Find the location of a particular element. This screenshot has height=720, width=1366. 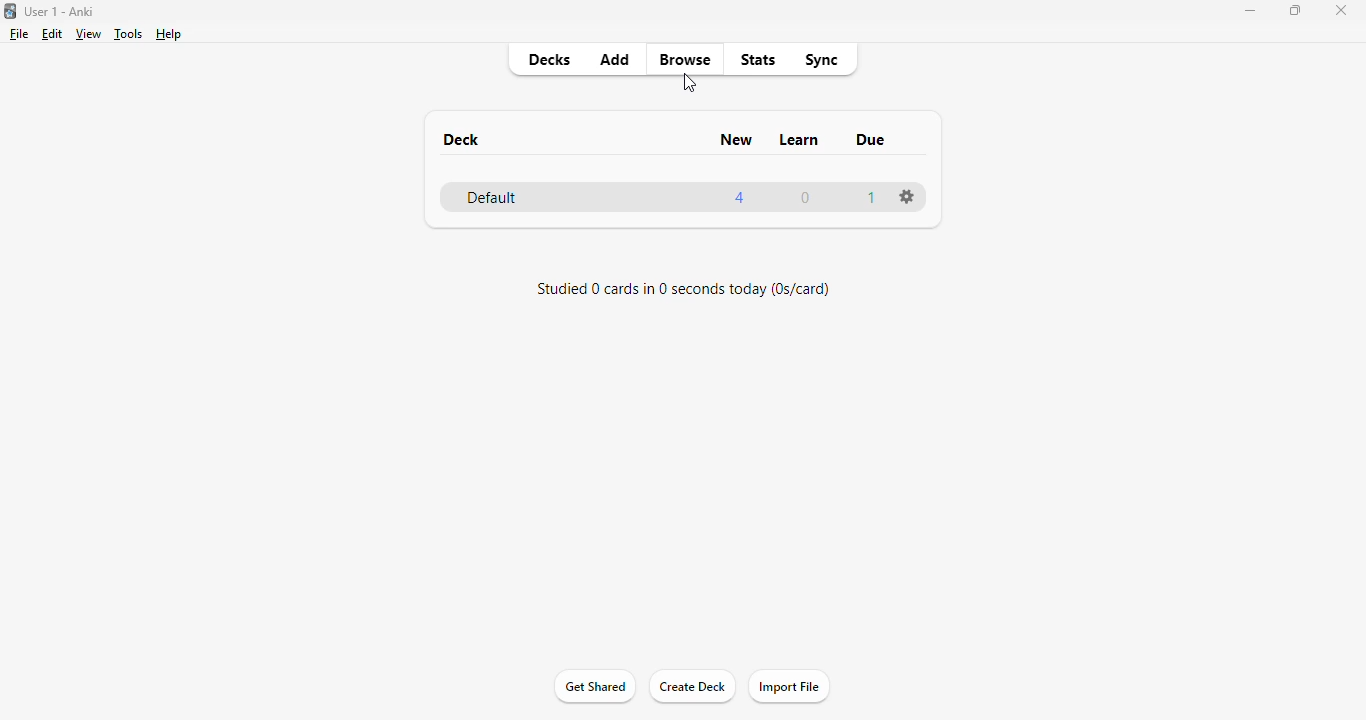

tools is located at coordinates (128, 35).